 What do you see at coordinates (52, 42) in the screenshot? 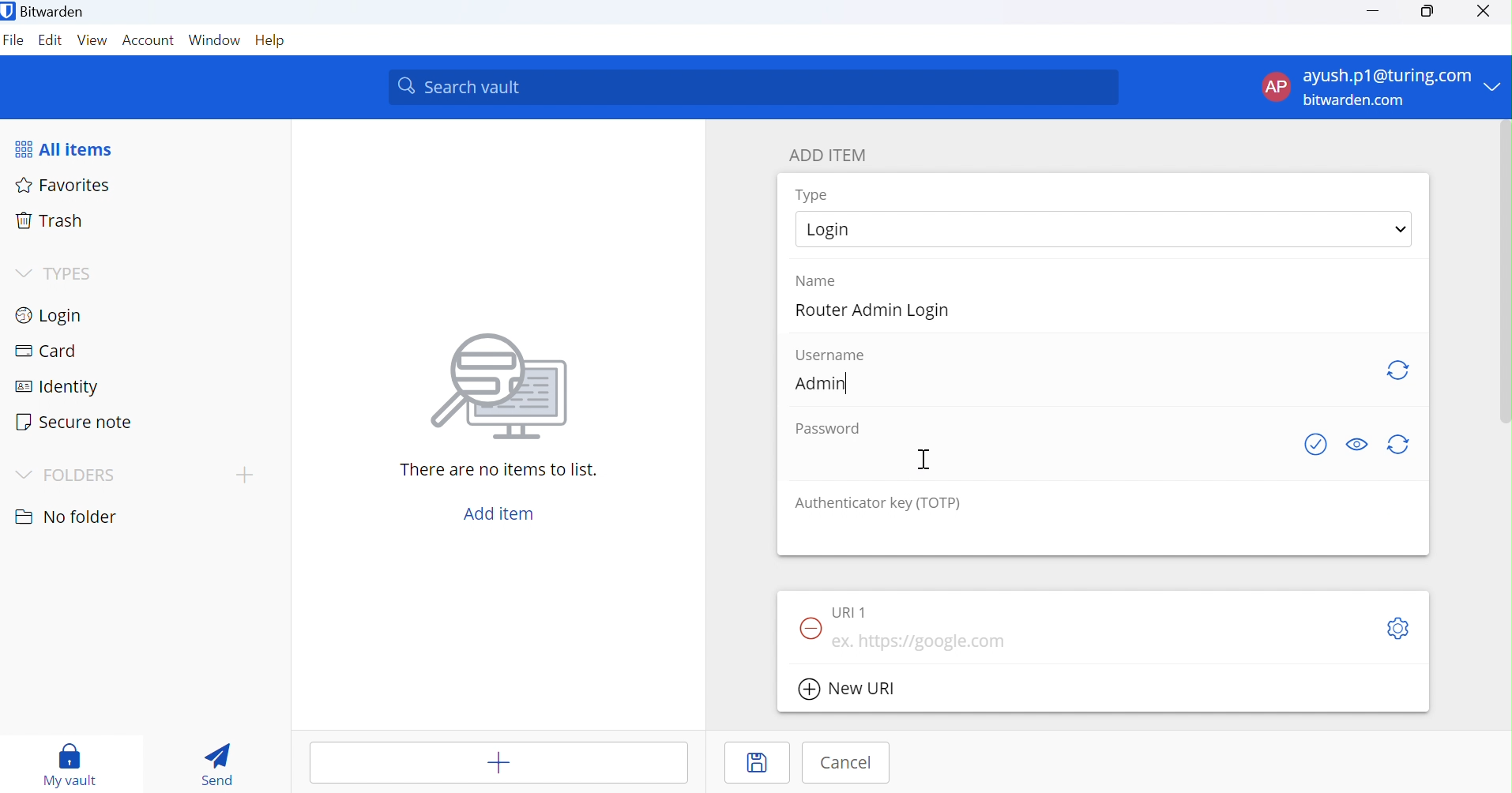
I see `Edit` at bounding box center [52, 42].